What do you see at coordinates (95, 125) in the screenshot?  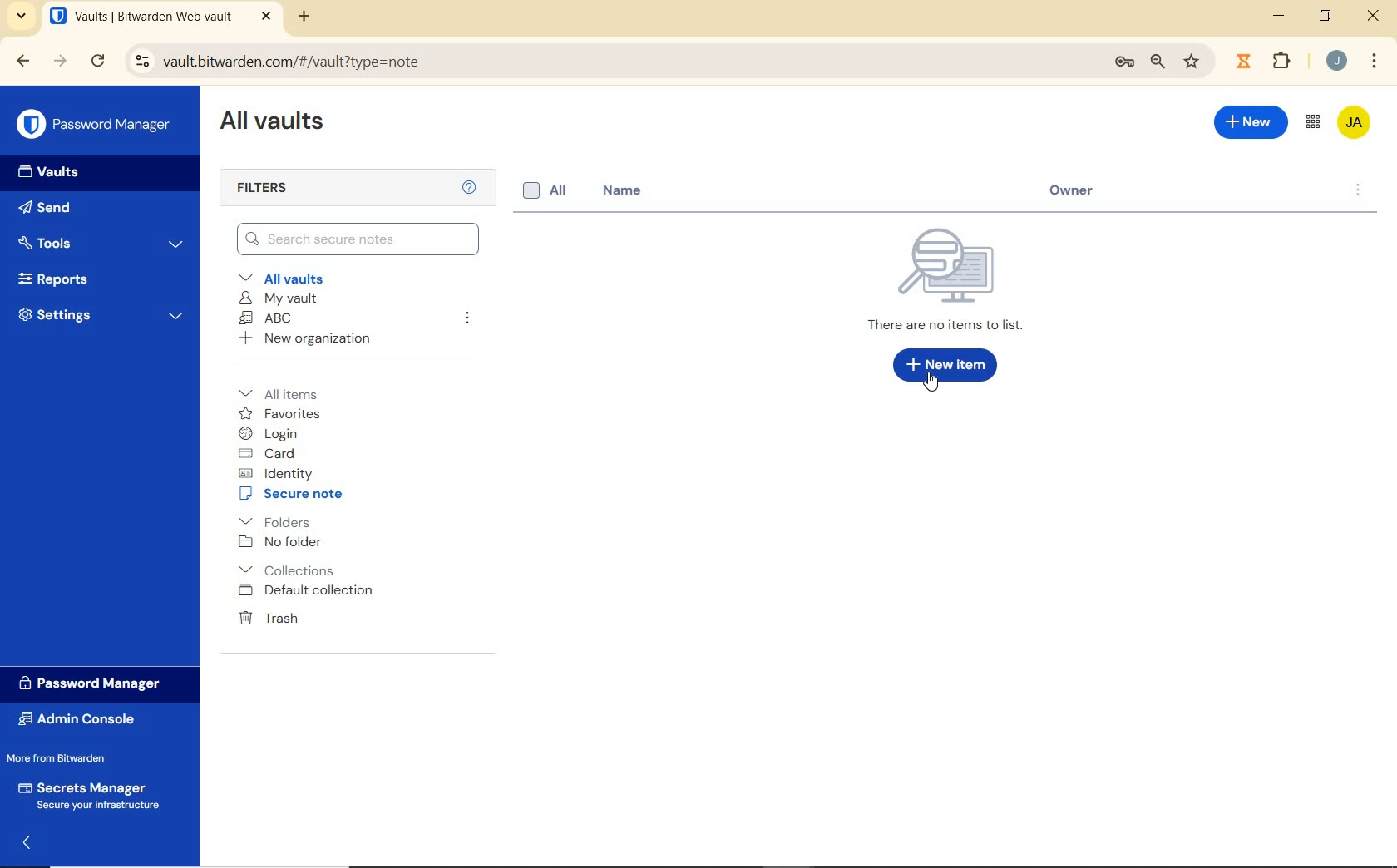 I see `Password Manager` at bounding box center [95, 125].